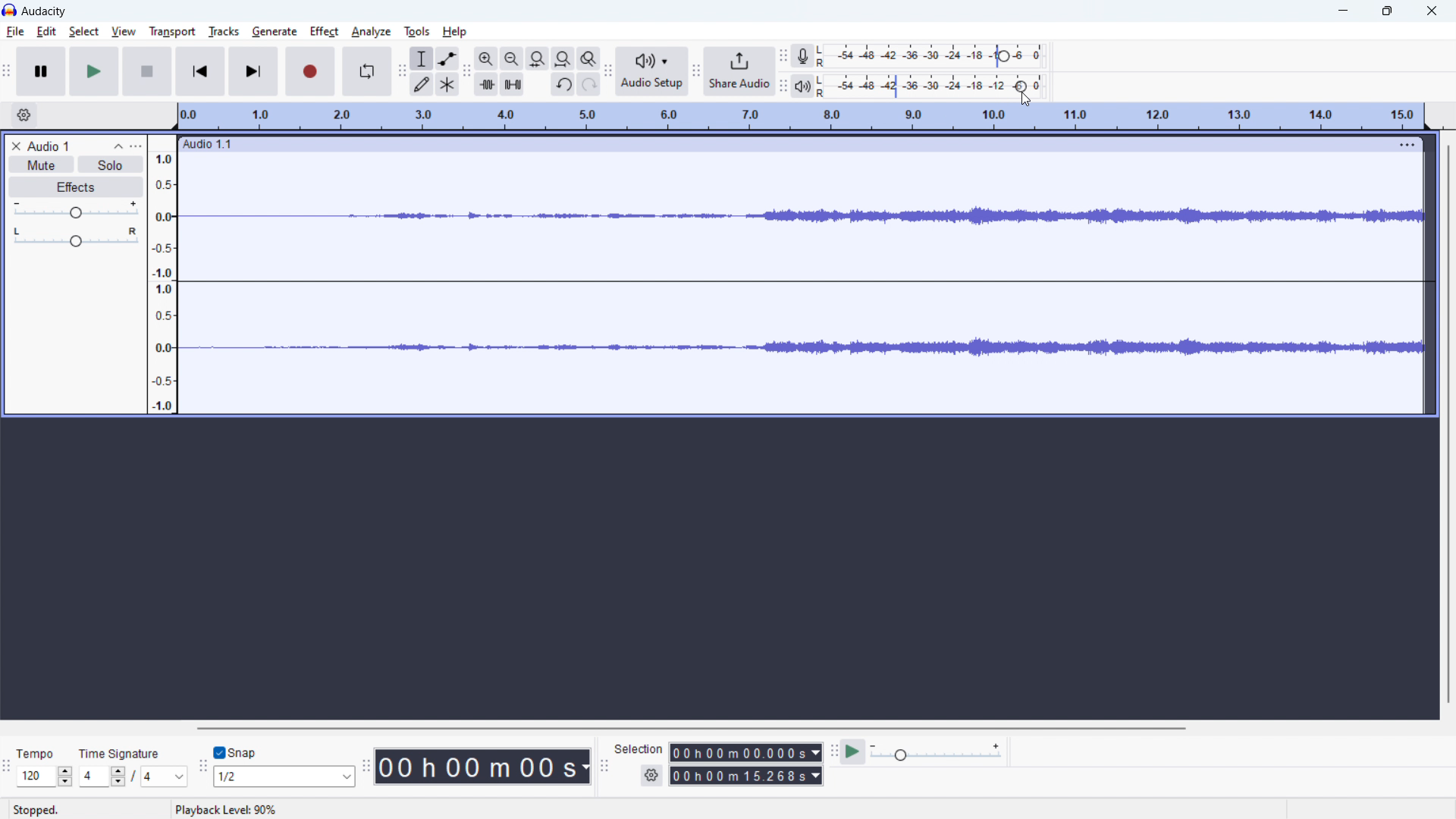 This screenshot has width=1456, height=819. I want to click on play at speed toolbar, so click(833, 752).